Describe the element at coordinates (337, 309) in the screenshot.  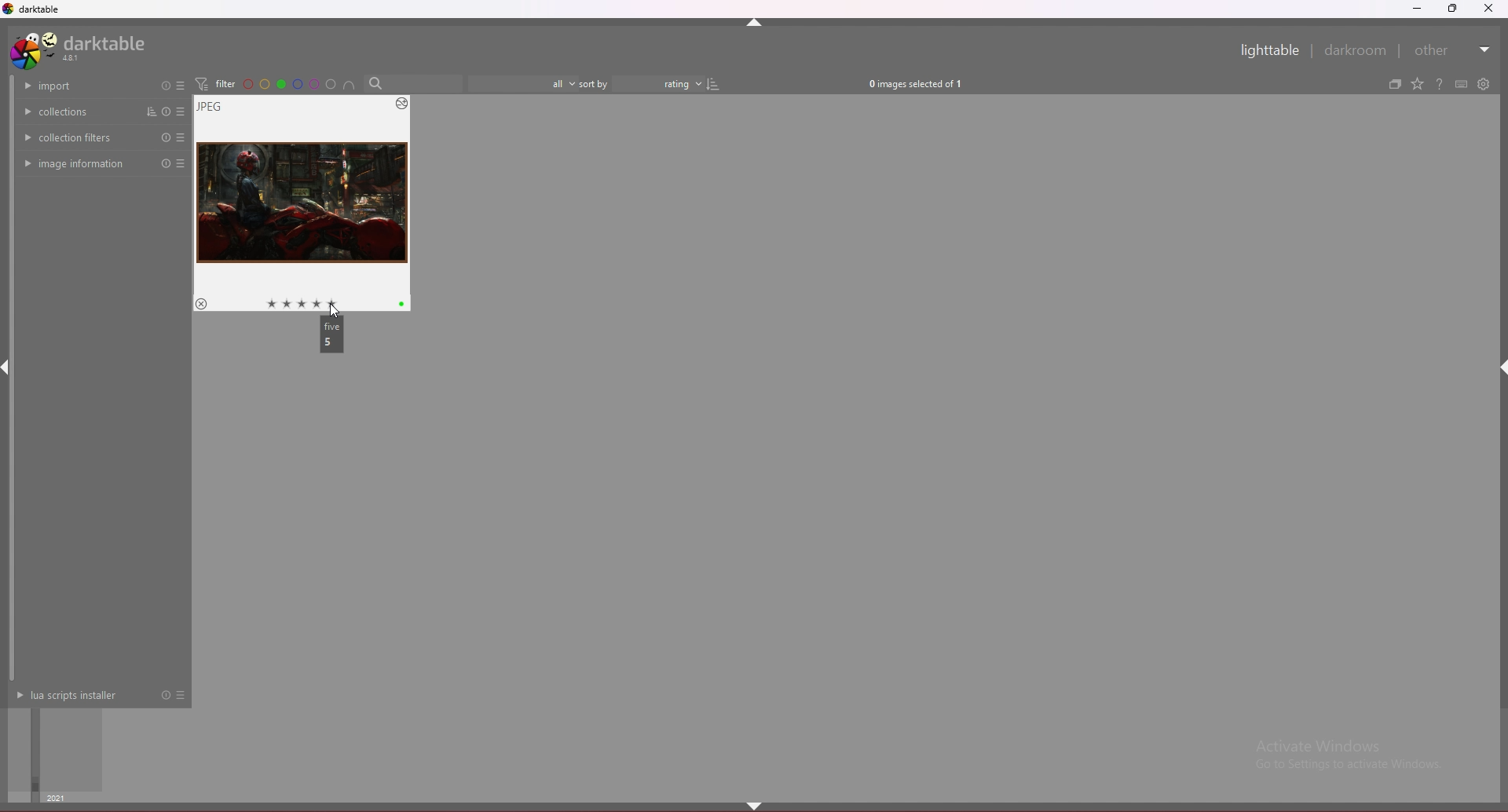
I see `cursor` at that location.